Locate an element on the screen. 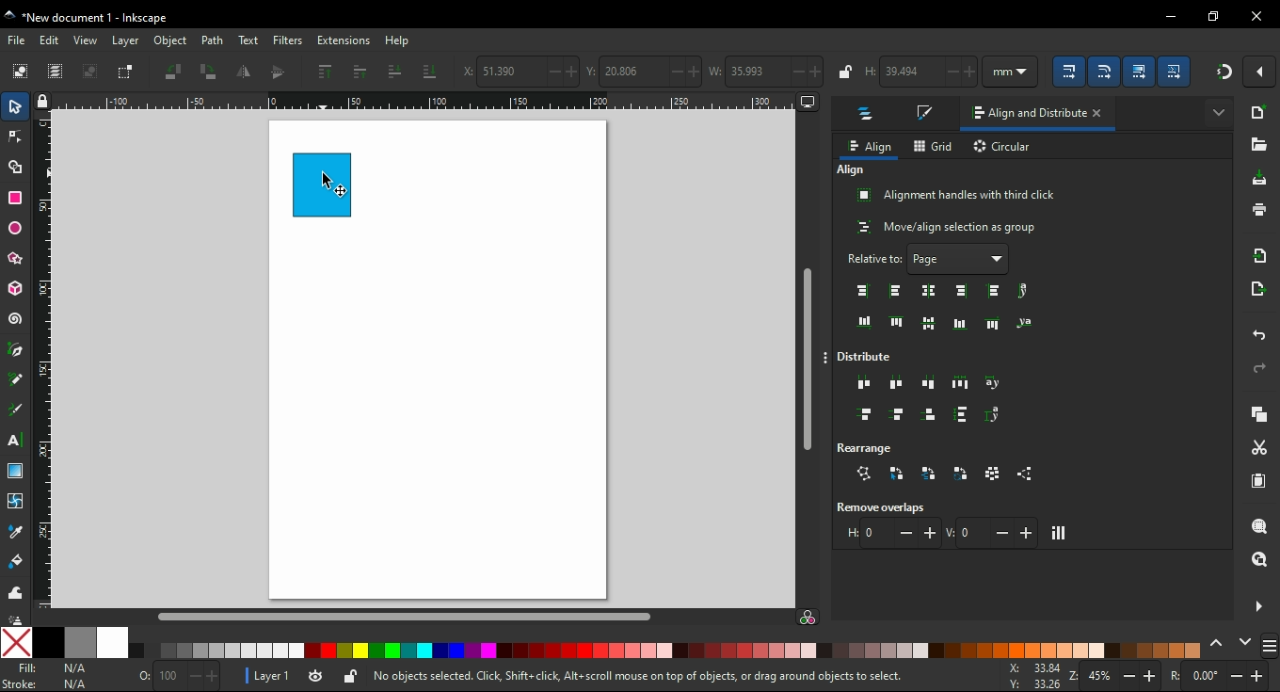 The width and height of the screenshot is (1280, 692). 50% grey is located at coordinates (80, 643).